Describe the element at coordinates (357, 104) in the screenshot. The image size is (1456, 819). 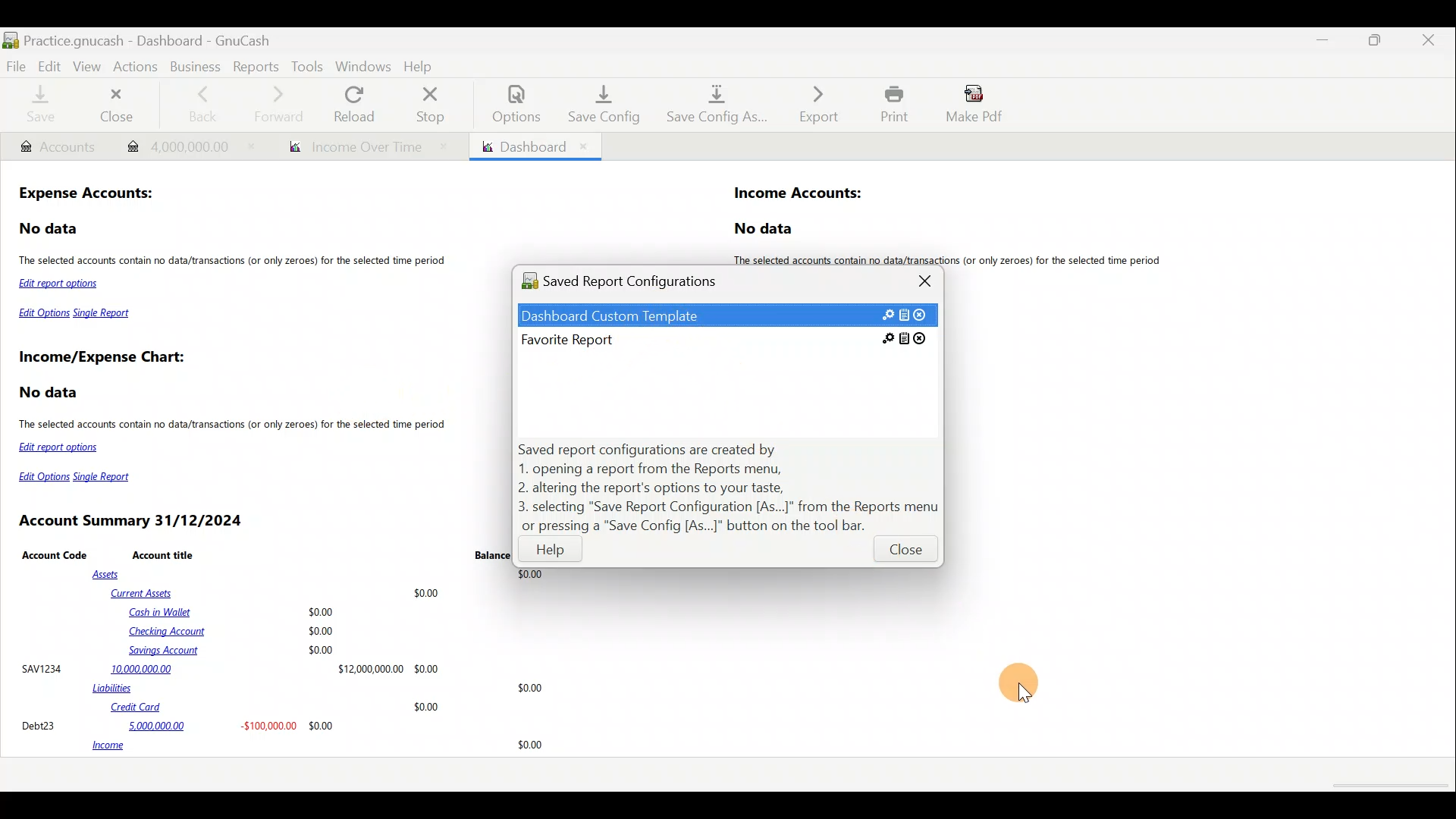
I see `Reload` at that location.